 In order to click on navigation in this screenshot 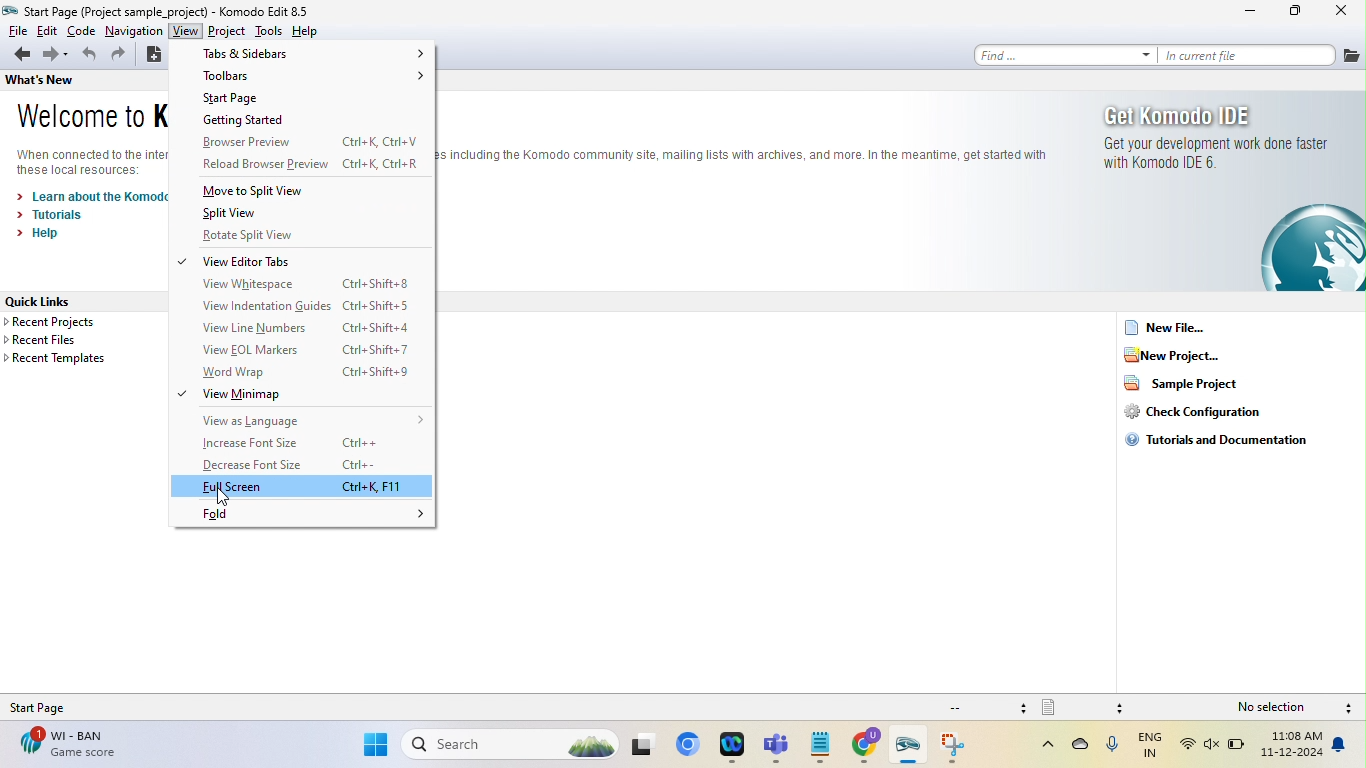, I will do `click(134, 31)`.